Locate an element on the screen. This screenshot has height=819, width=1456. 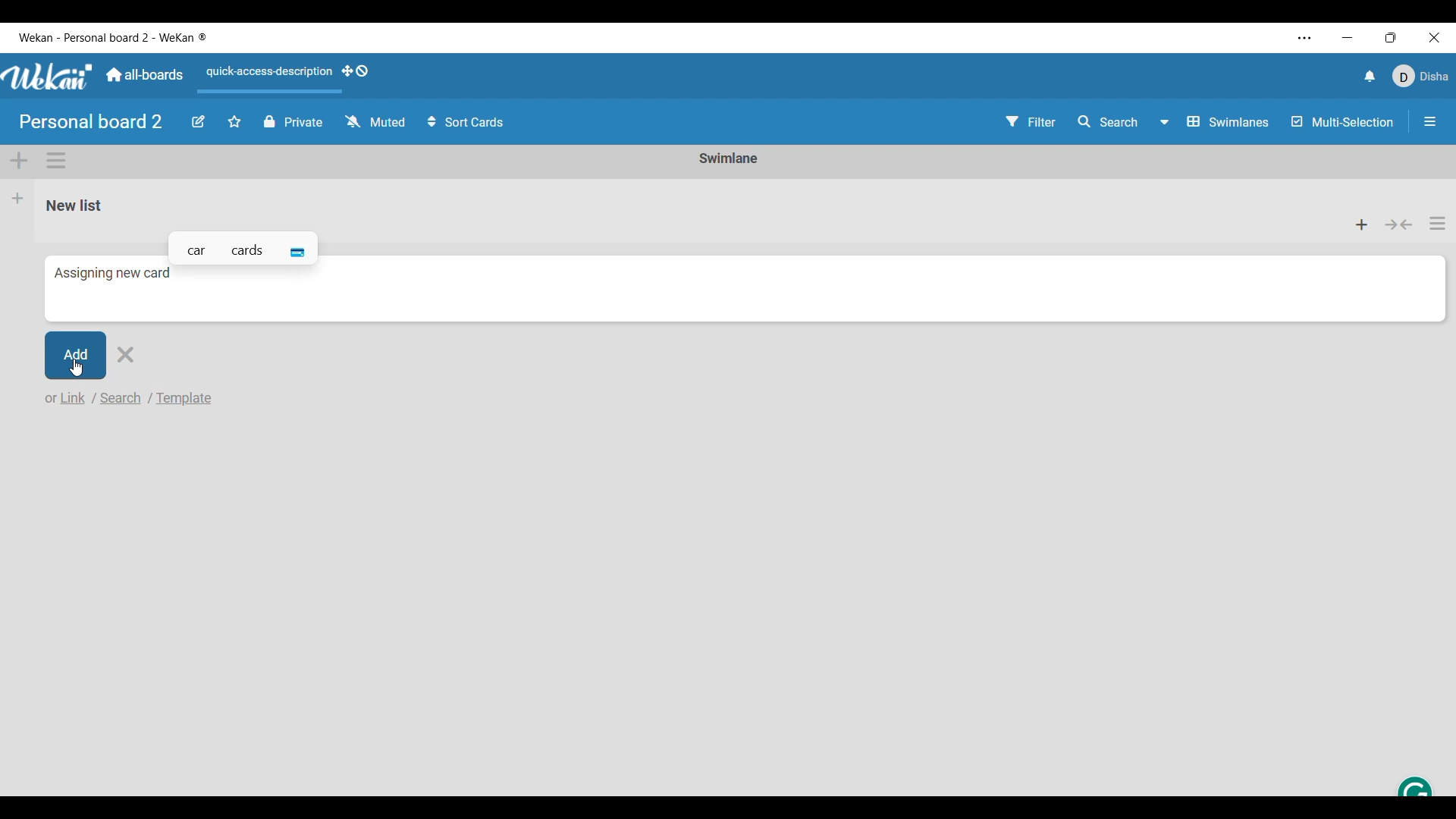
Privacy toggle is located at coordinates (293, 121).